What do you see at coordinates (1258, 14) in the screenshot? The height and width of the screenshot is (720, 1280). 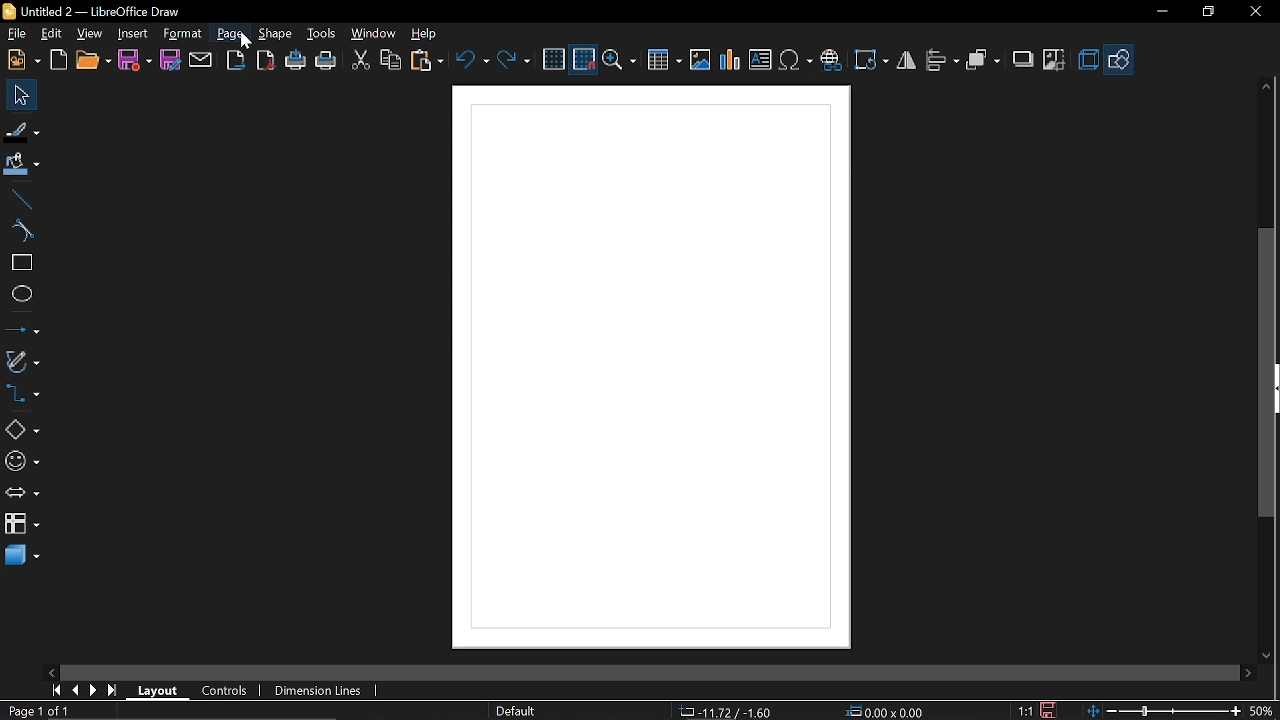 I see `CLose` at bounding box center [1258, 14].